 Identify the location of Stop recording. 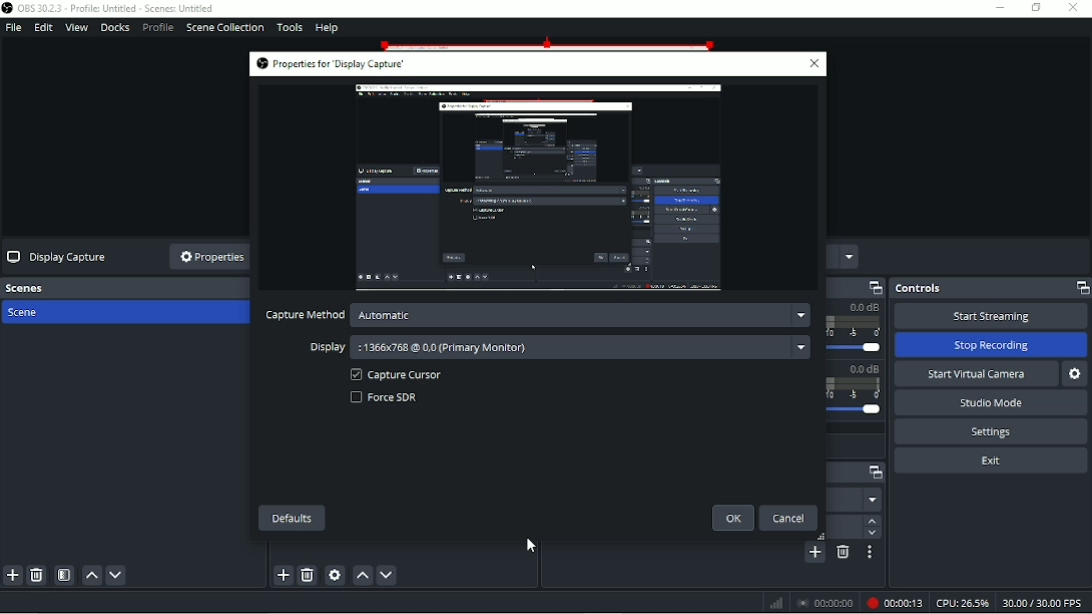
(826, 602).